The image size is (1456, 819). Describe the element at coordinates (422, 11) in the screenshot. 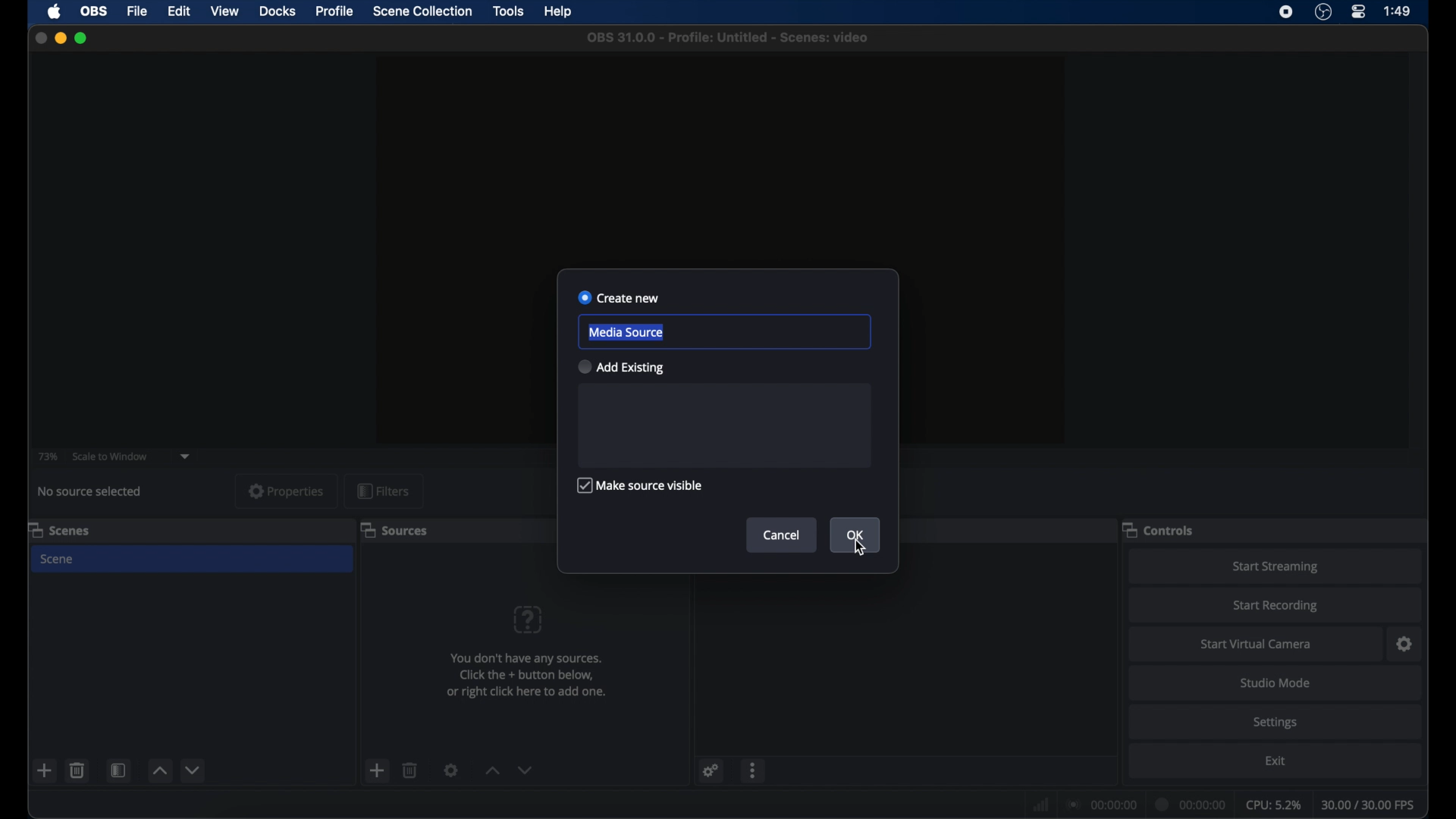

I see `scene collection` at that location.